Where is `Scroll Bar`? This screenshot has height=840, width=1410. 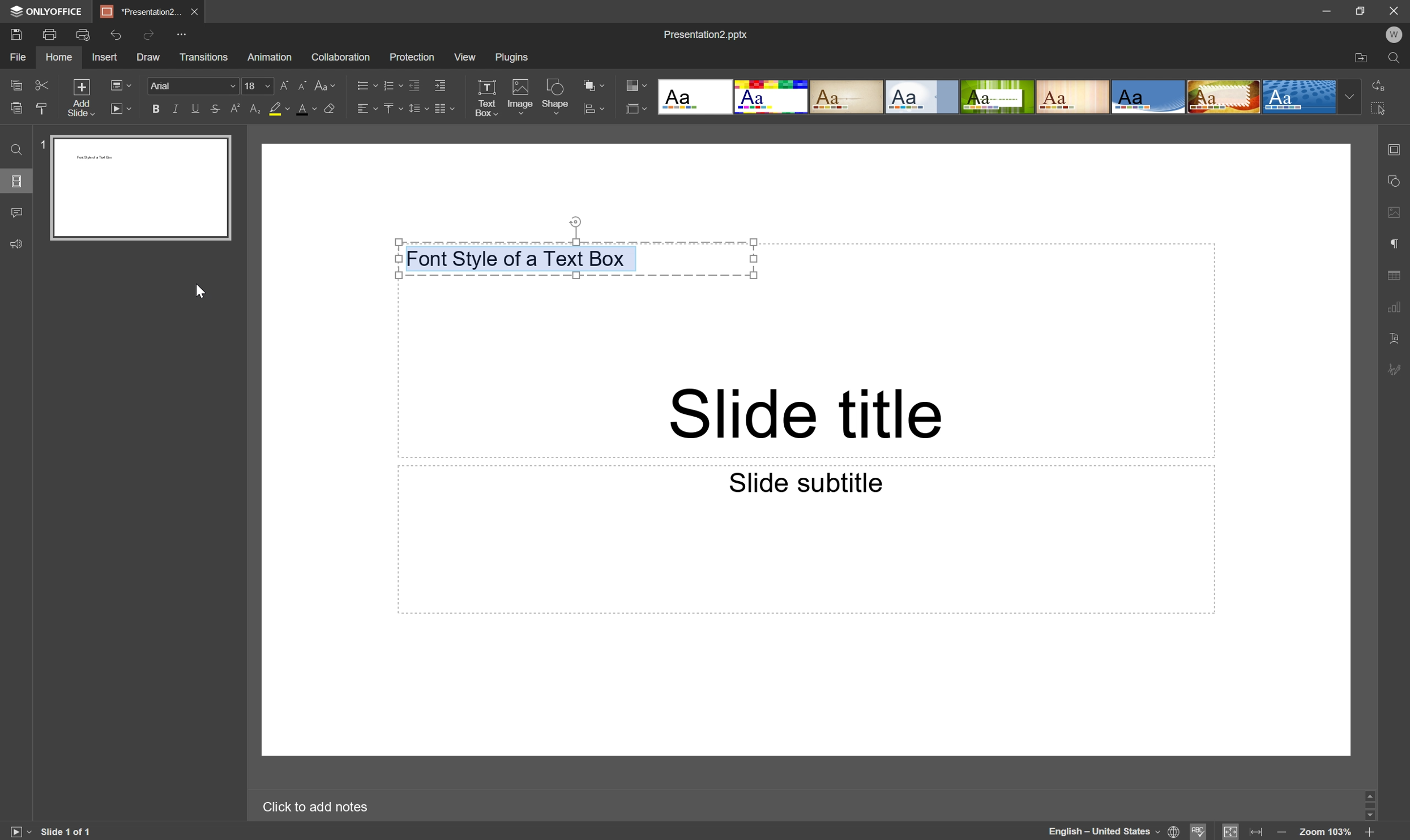 Scroll Bar is located at coordinates (1369, 804).